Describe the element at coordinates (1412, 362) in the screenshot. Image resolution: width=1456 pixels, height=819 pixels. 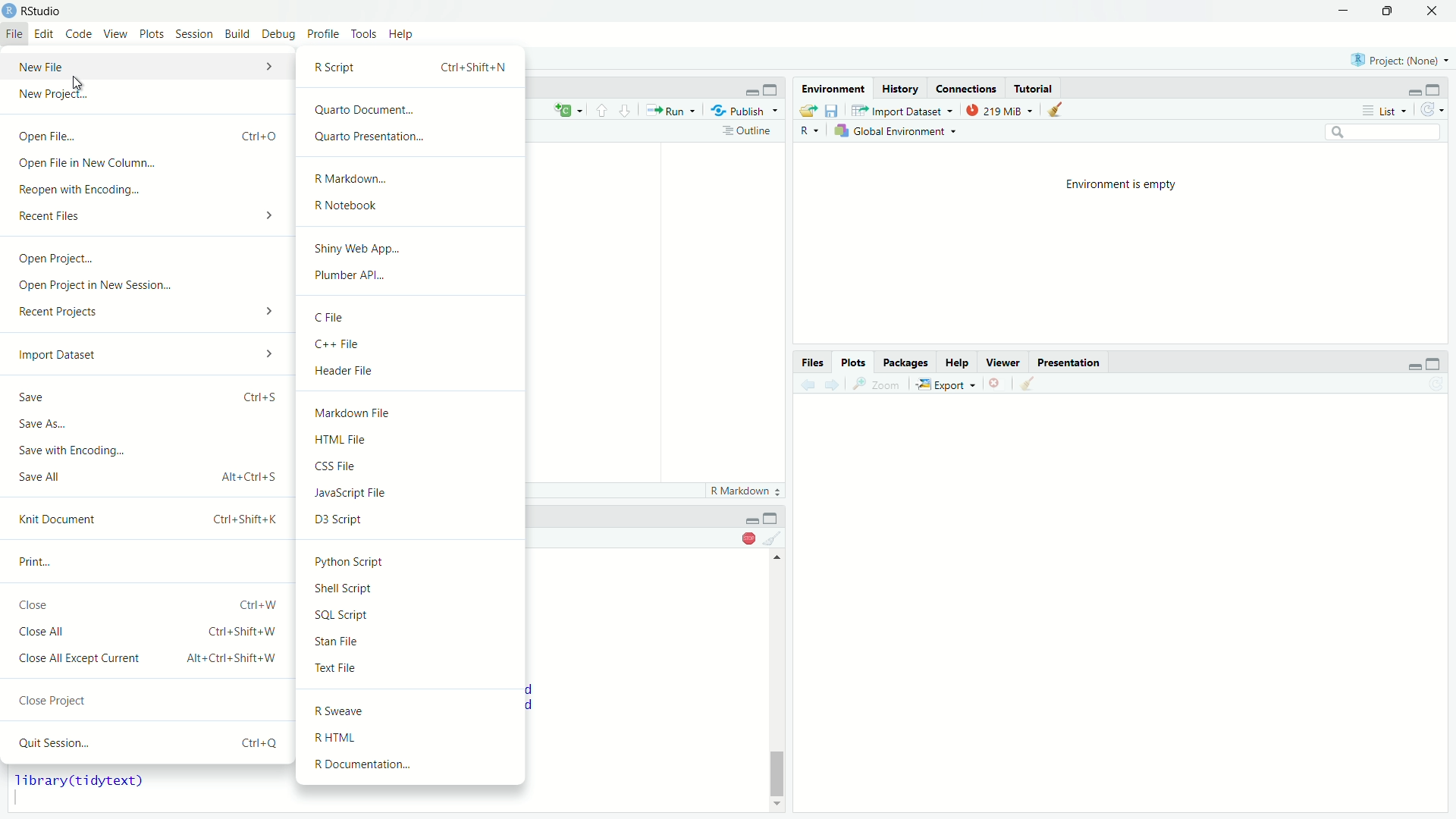
I see `minimize` at that location.